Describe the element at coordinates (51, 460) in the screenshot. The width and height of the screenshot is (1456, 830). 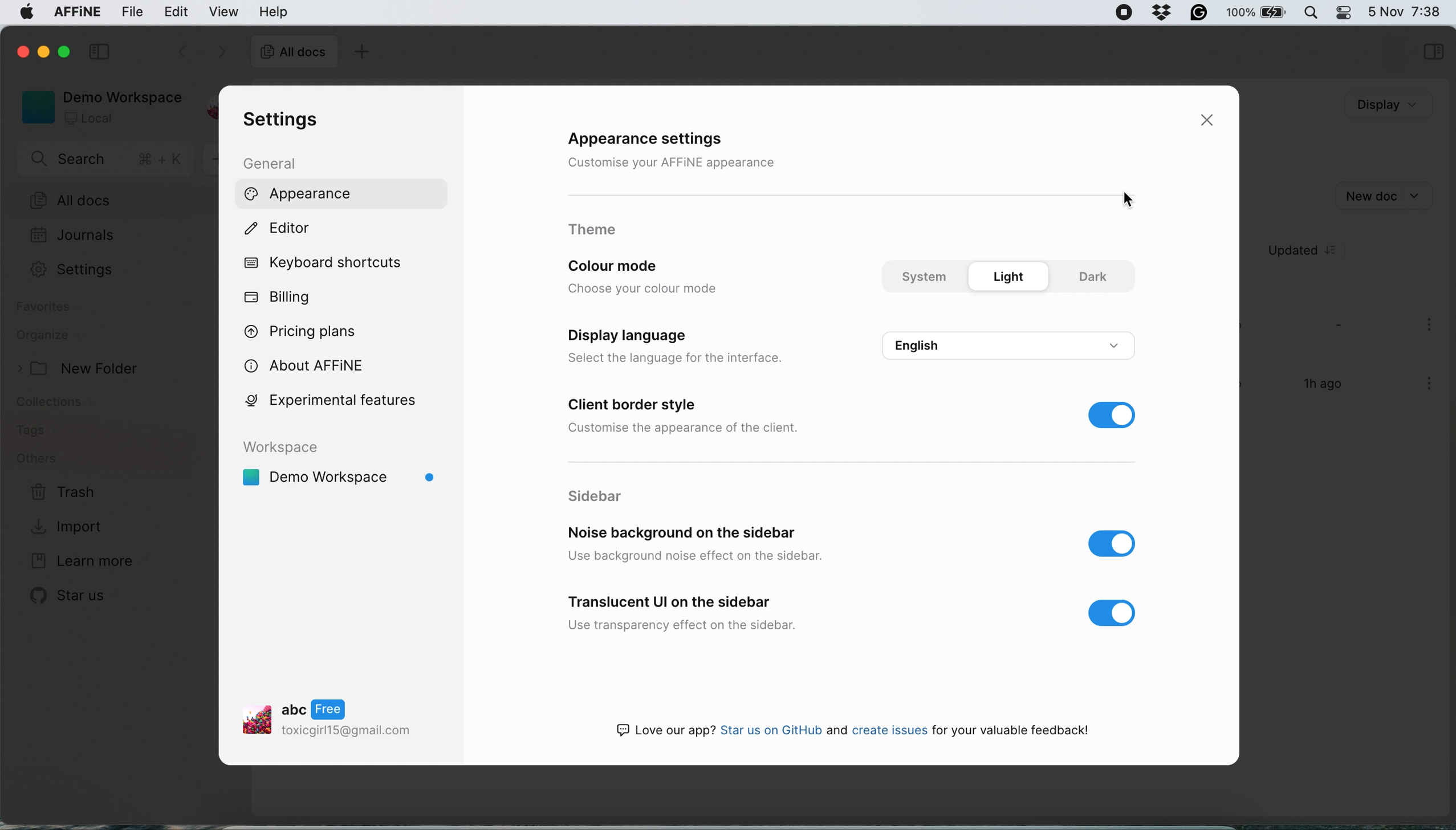
I see `others` at that location.